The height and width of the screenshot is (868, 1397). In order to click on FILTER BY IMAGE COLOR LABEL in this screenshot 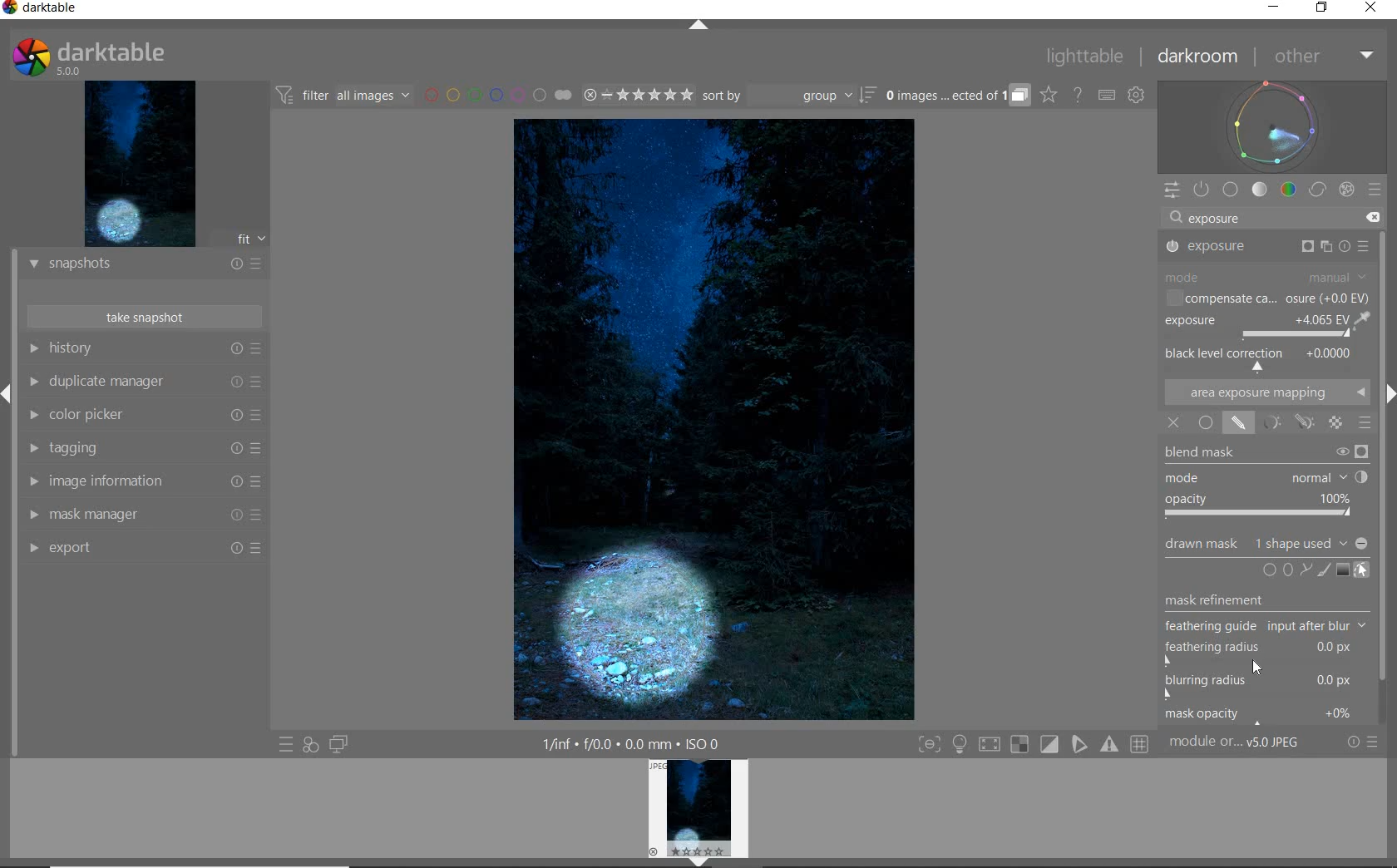, I will do `click(498, 96)`.